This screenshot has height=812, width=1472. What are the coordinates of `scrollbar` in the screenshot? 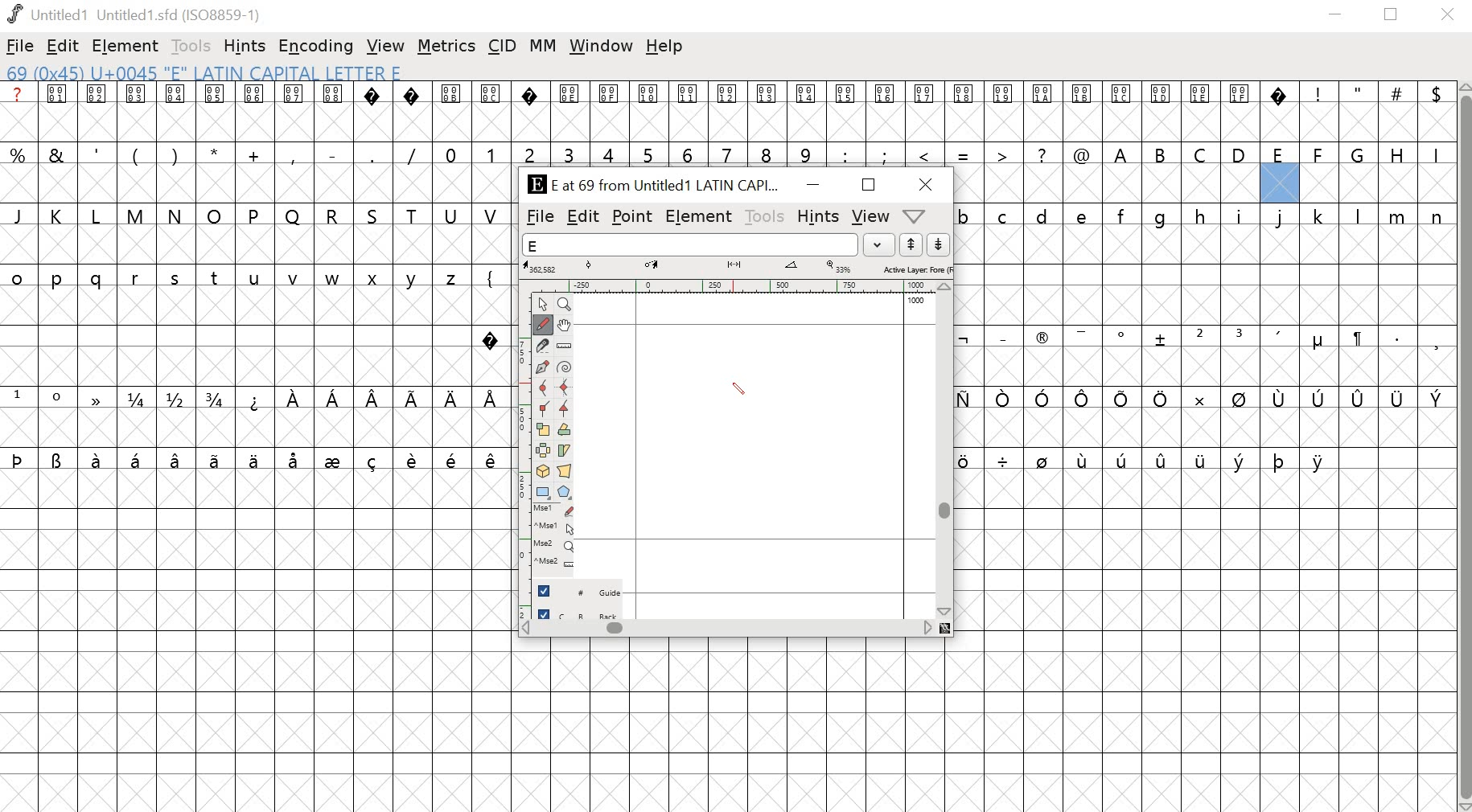 It's located at (1463, 446).